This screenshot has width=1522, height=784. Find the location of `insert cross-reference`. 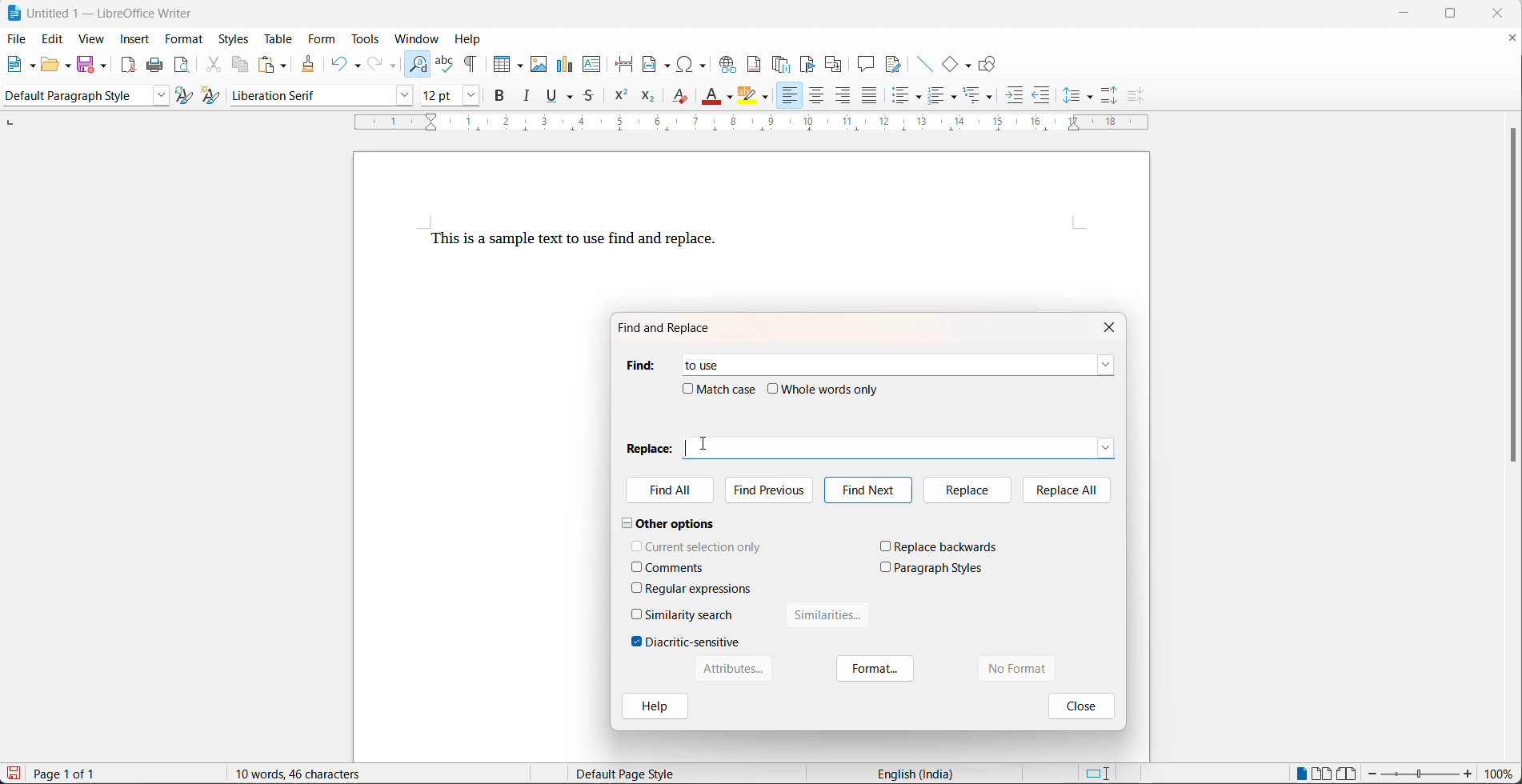

insert cross-reference is located at coordinates (834, 64).